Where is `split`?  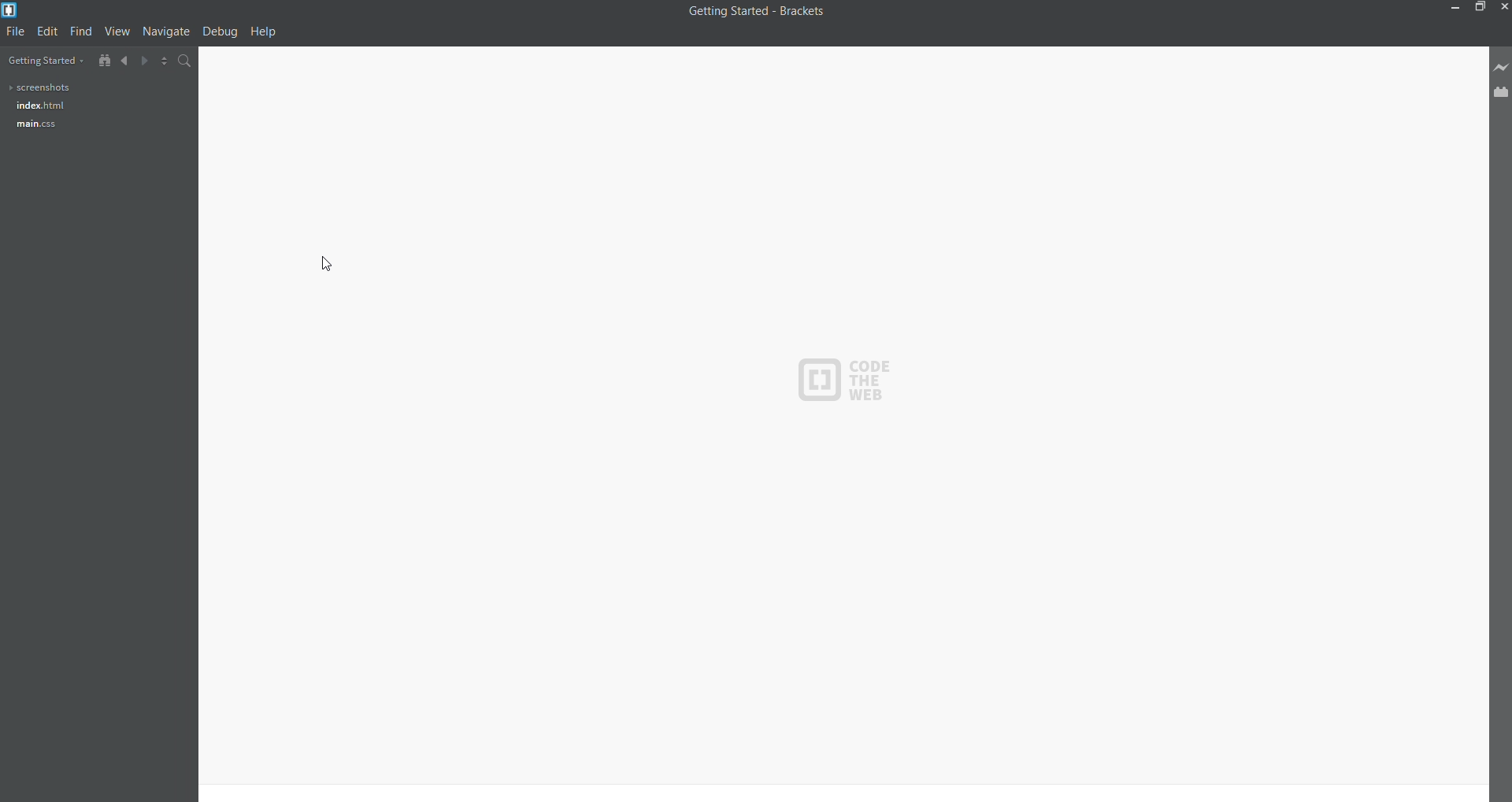 split is located at coordinates (159, 62).